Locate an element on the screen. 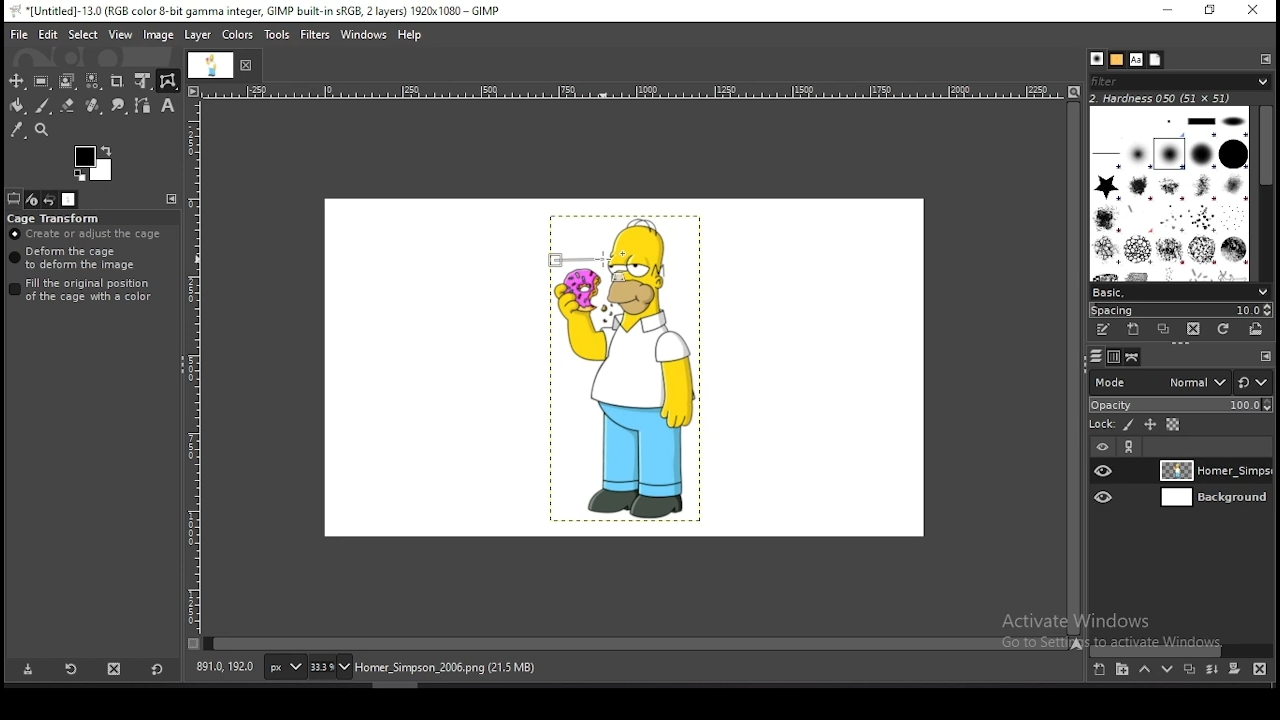 The height and width of the screenshot is (720, 1280). select by color tool is located at coordinates (93, 81).